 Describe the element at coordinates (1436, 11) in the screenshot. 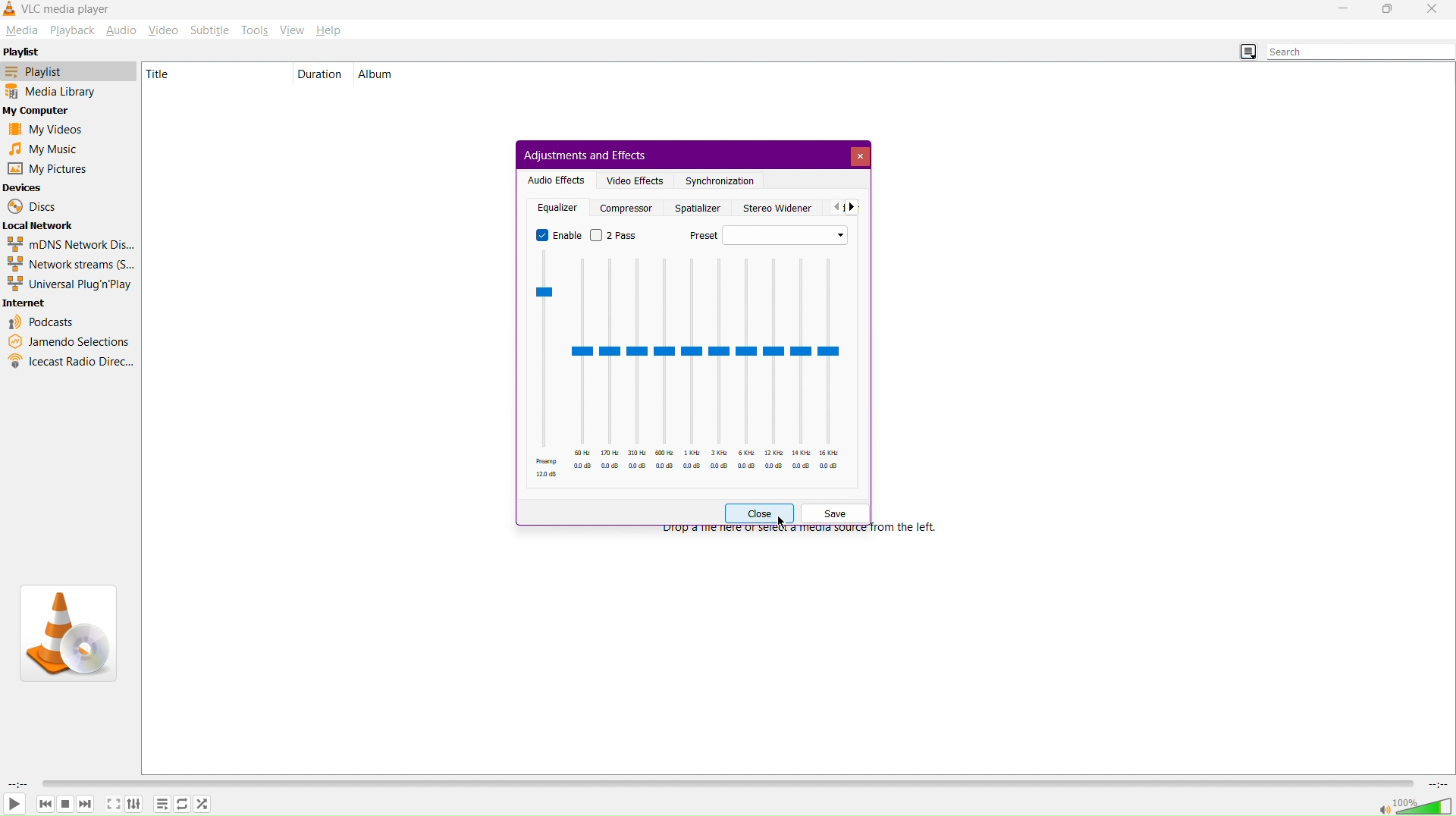

I see `Close` at that location.